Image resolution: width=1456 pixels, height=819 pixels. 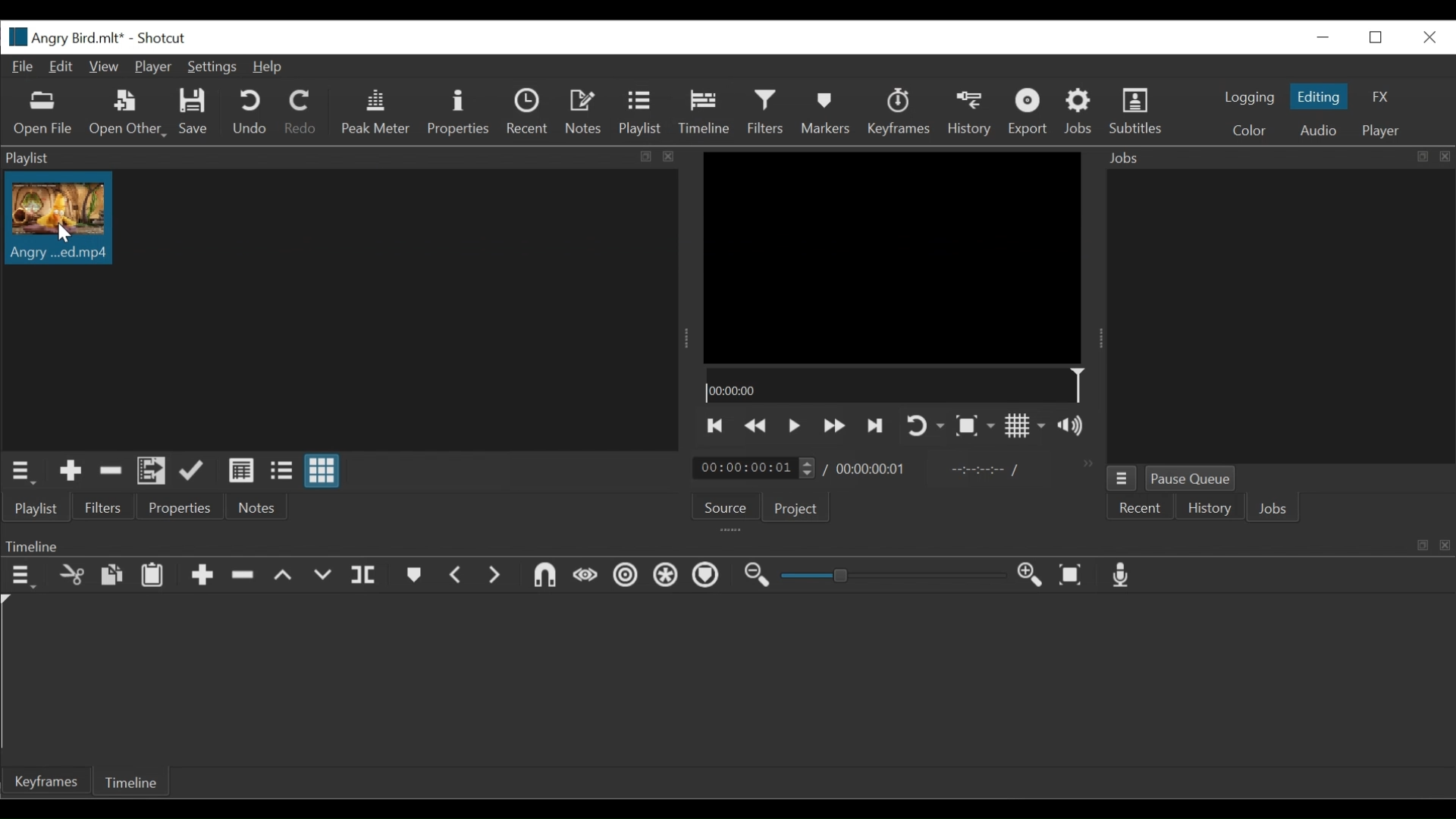 I want to click on Timeline menu, so click(x=24, y=576).